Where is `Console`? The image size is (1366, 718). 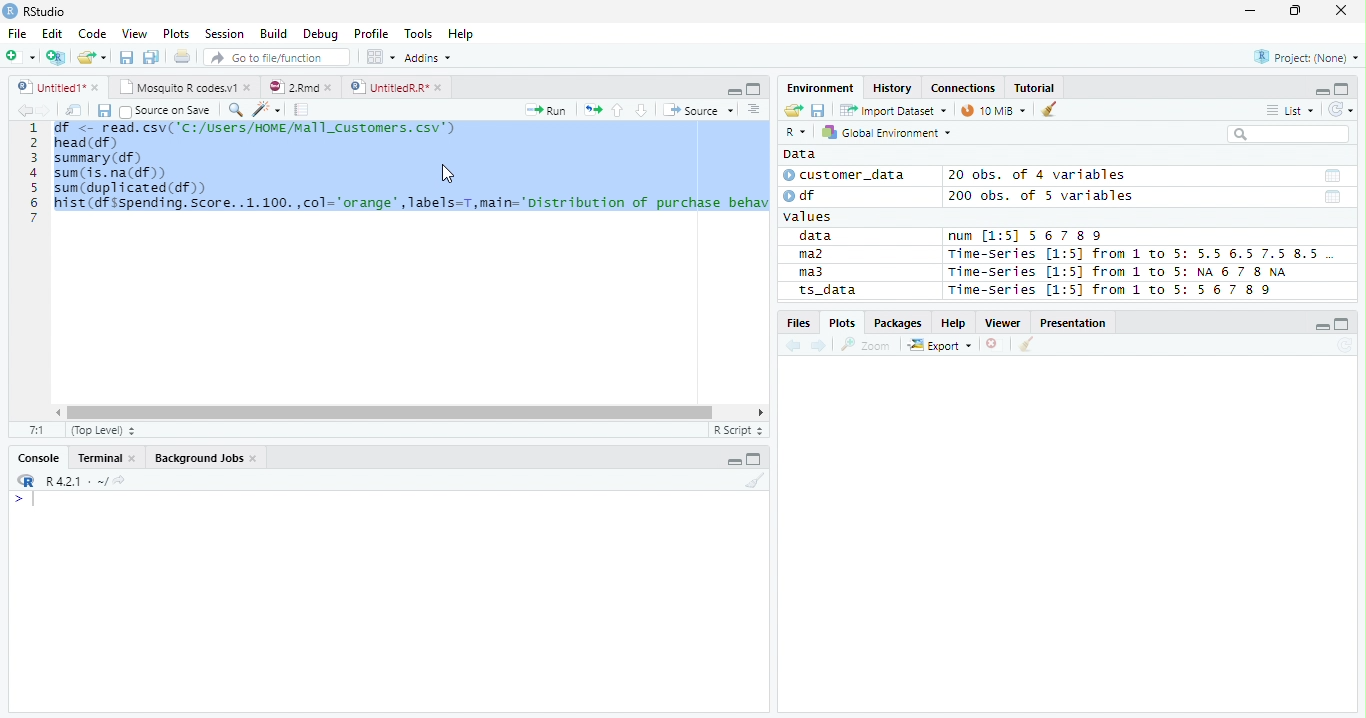 Console is located at coordinates (39, 456).